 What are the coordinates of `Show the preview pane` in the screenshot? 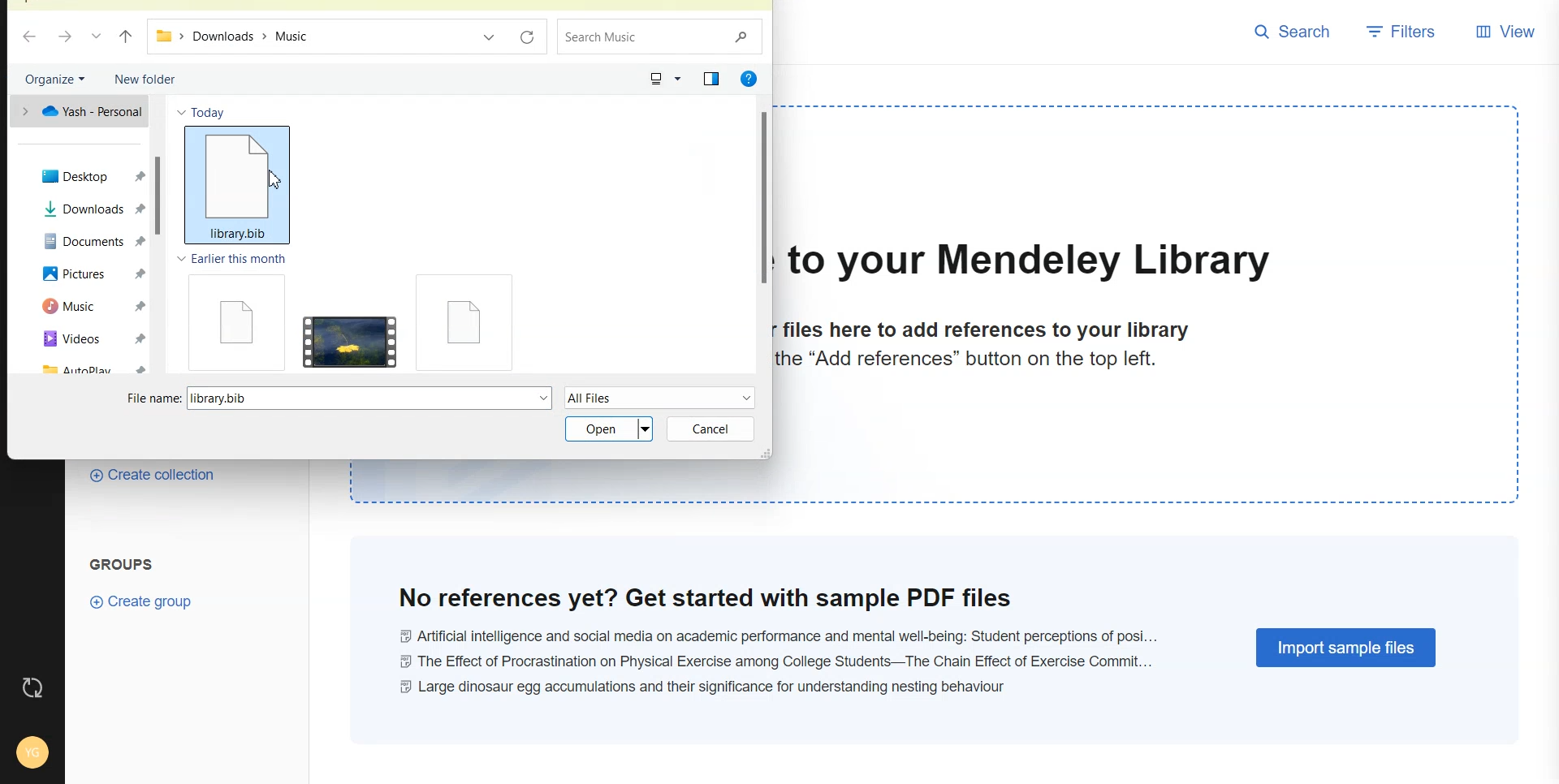 It's located at (712, 78).